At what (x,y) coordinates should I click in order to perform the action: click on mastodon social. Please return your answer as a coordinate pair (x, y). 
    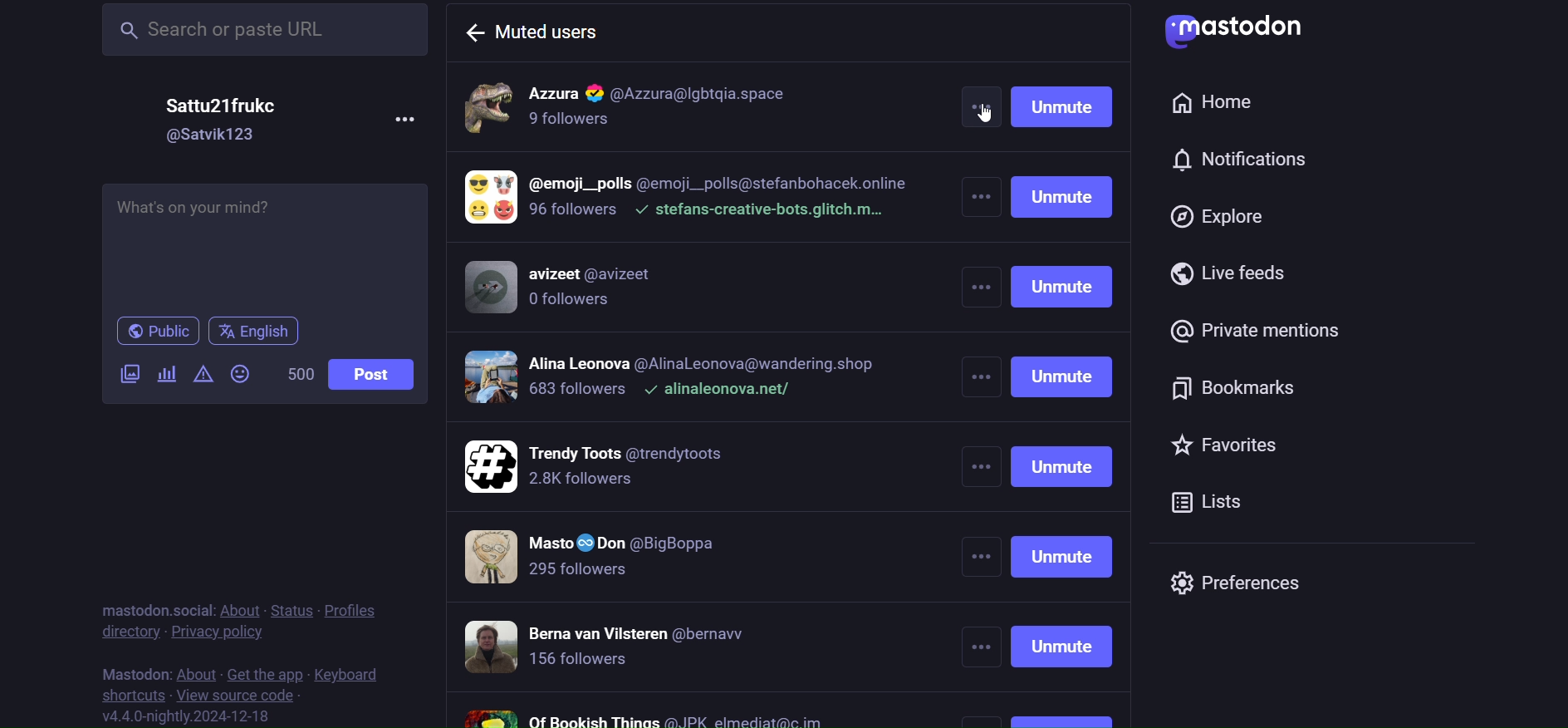
    Looking at the image, I should click on (153, 610).